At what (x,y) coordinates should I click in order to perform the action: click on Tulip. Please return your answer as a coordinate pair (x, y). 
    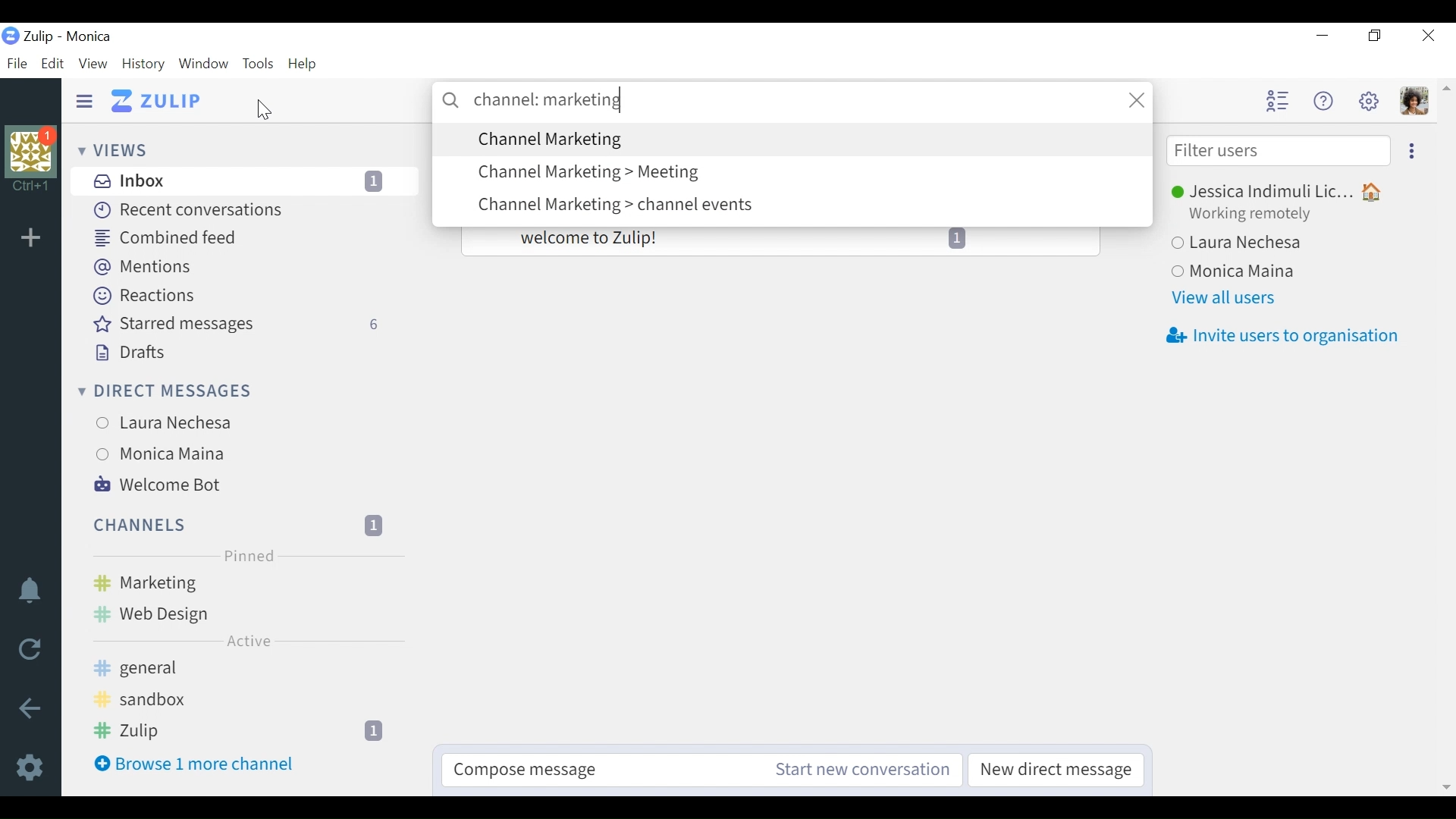
    Looking at the image, I should click on (90, 37).